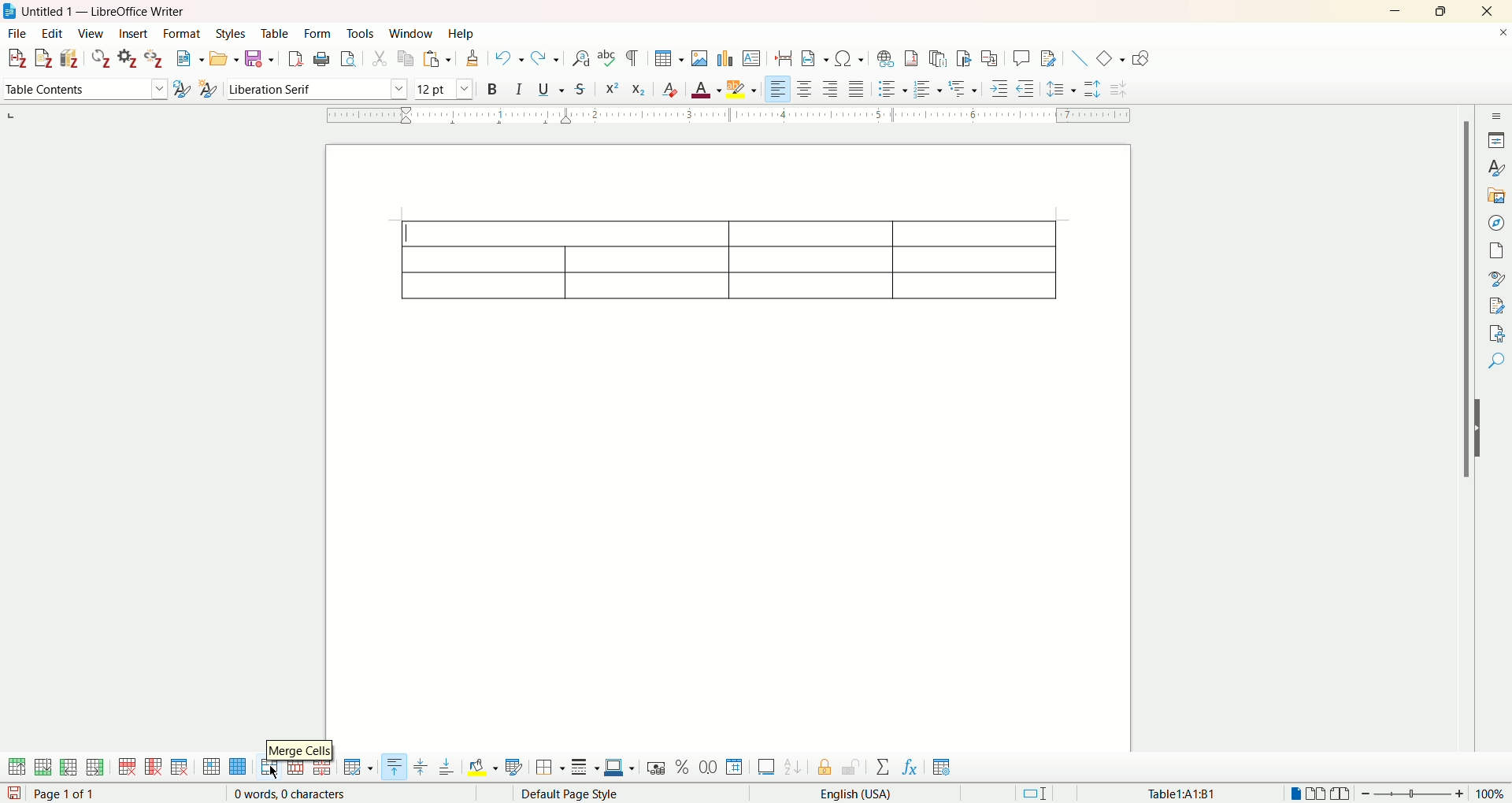  Describe the element at coordinates (636, 58) in the screenshot. I see `formatting marks` at that location.